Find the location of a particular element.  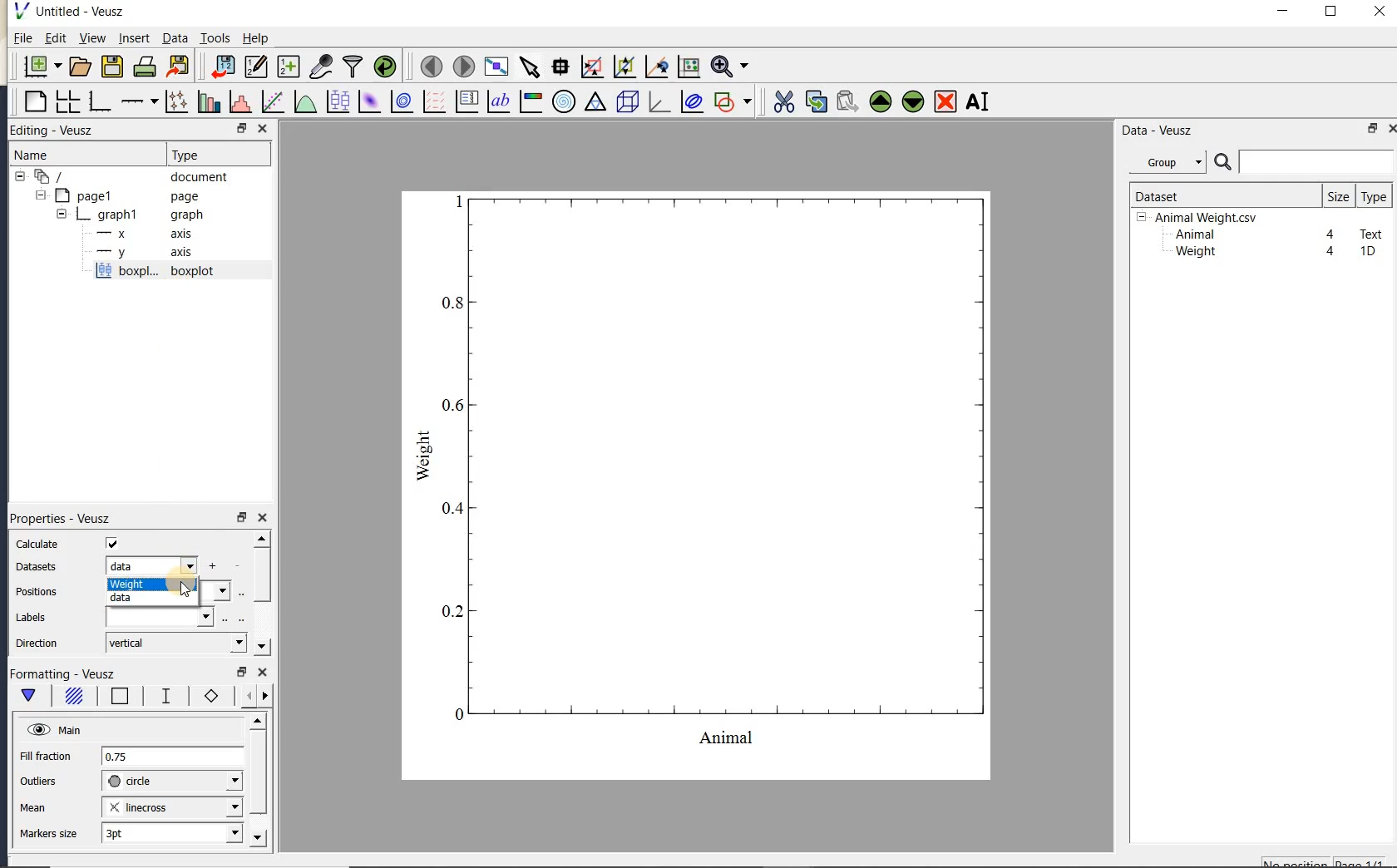

Edit is located at coordinates (52, 40).